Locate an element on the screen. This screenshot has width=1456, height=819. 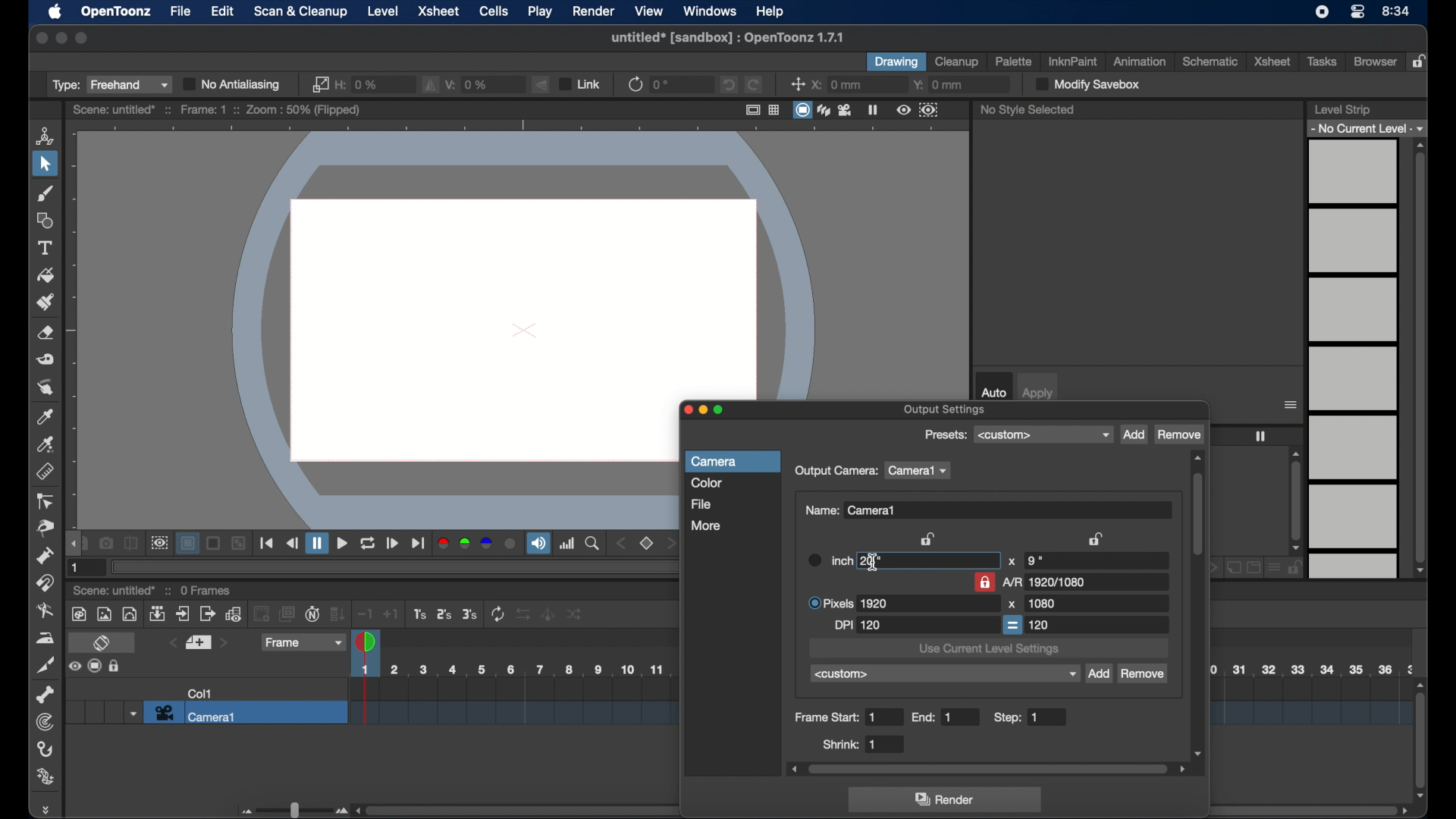
20 is located at coordinates (874, 560).